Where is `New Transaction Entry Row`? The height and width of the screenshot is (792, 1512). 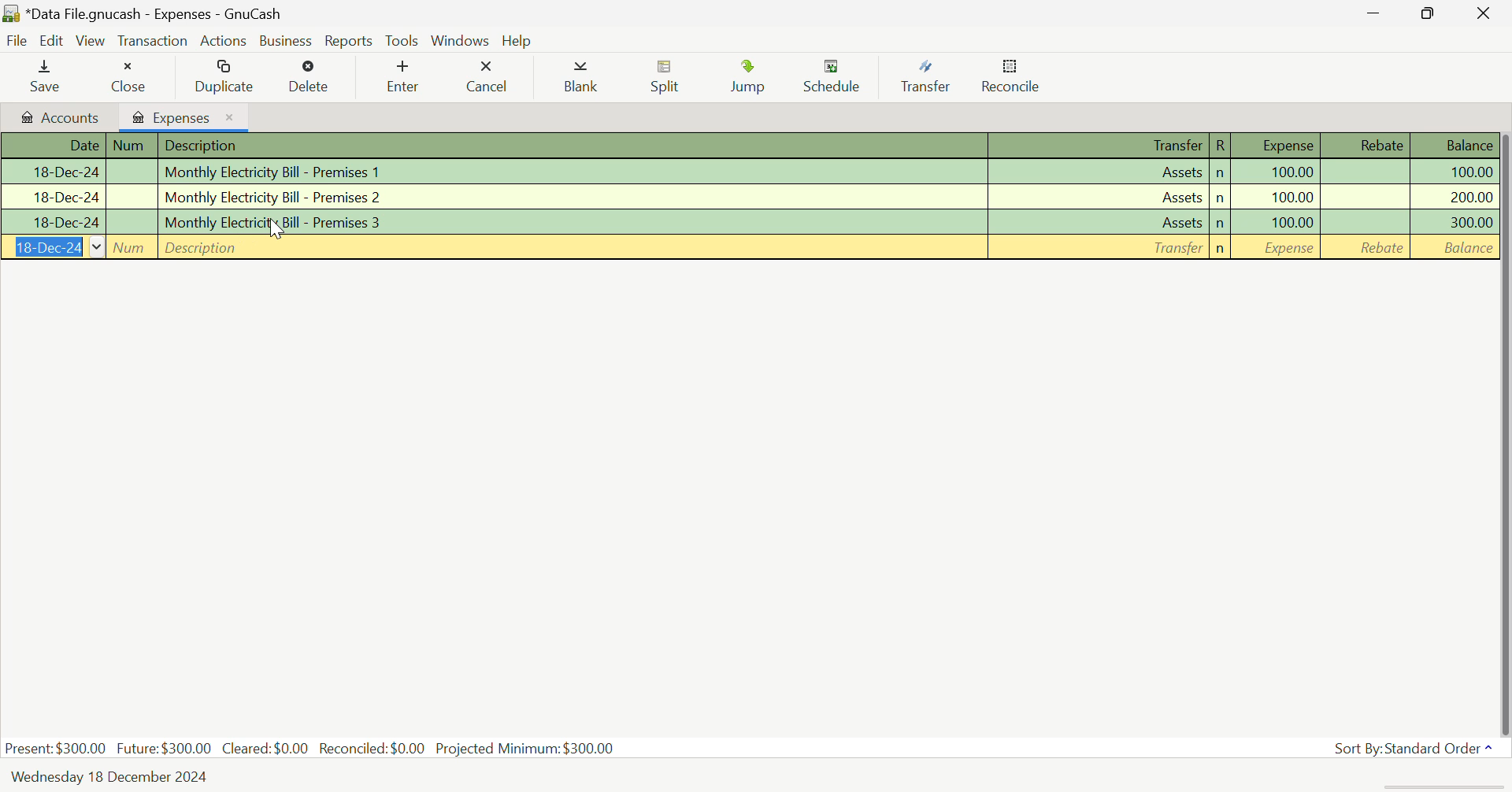 New Transaction Entry Row is located at coordinates (747, 248).